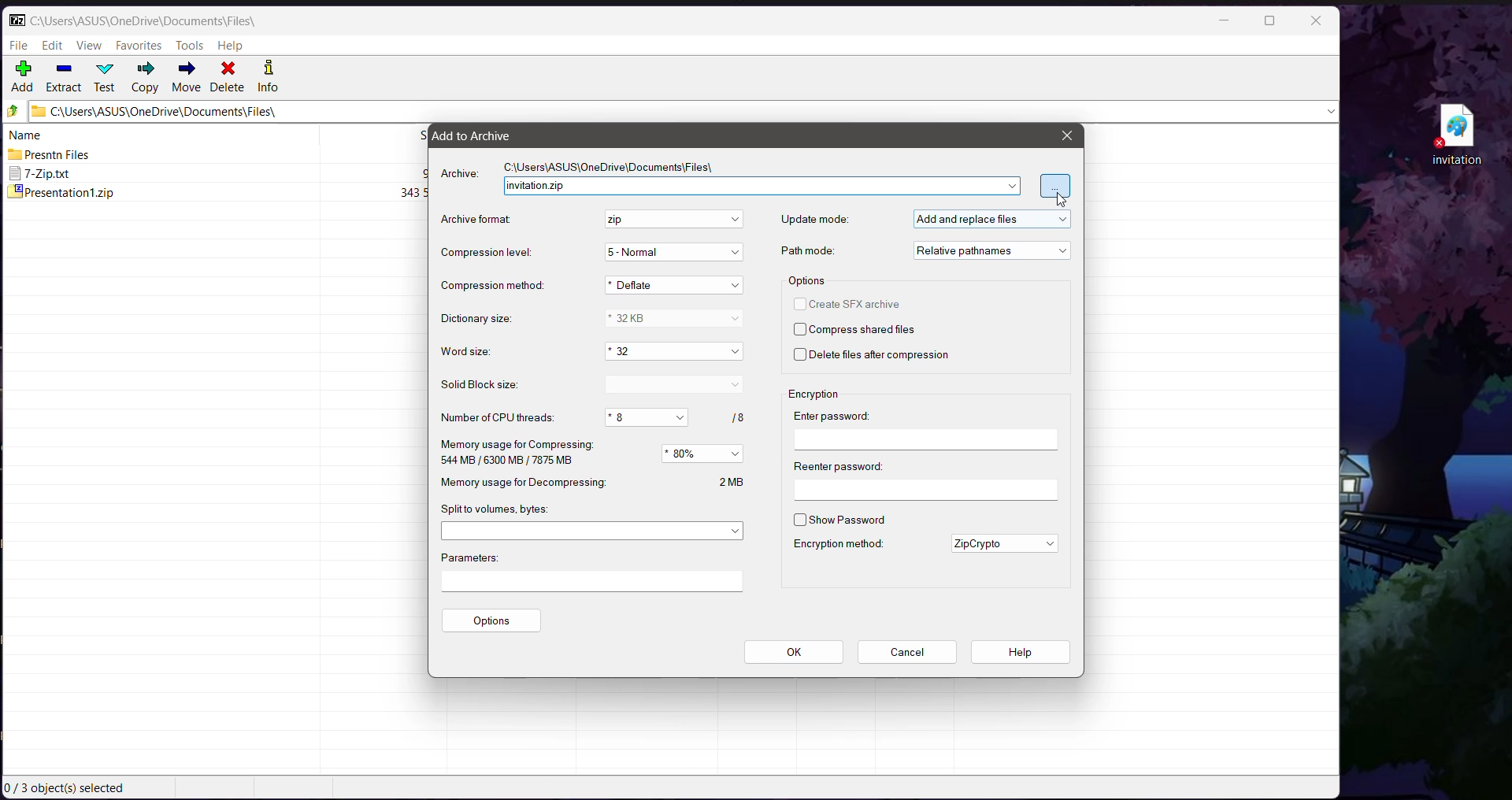  I want to click on Set the Compression Level, so click(676, 253).